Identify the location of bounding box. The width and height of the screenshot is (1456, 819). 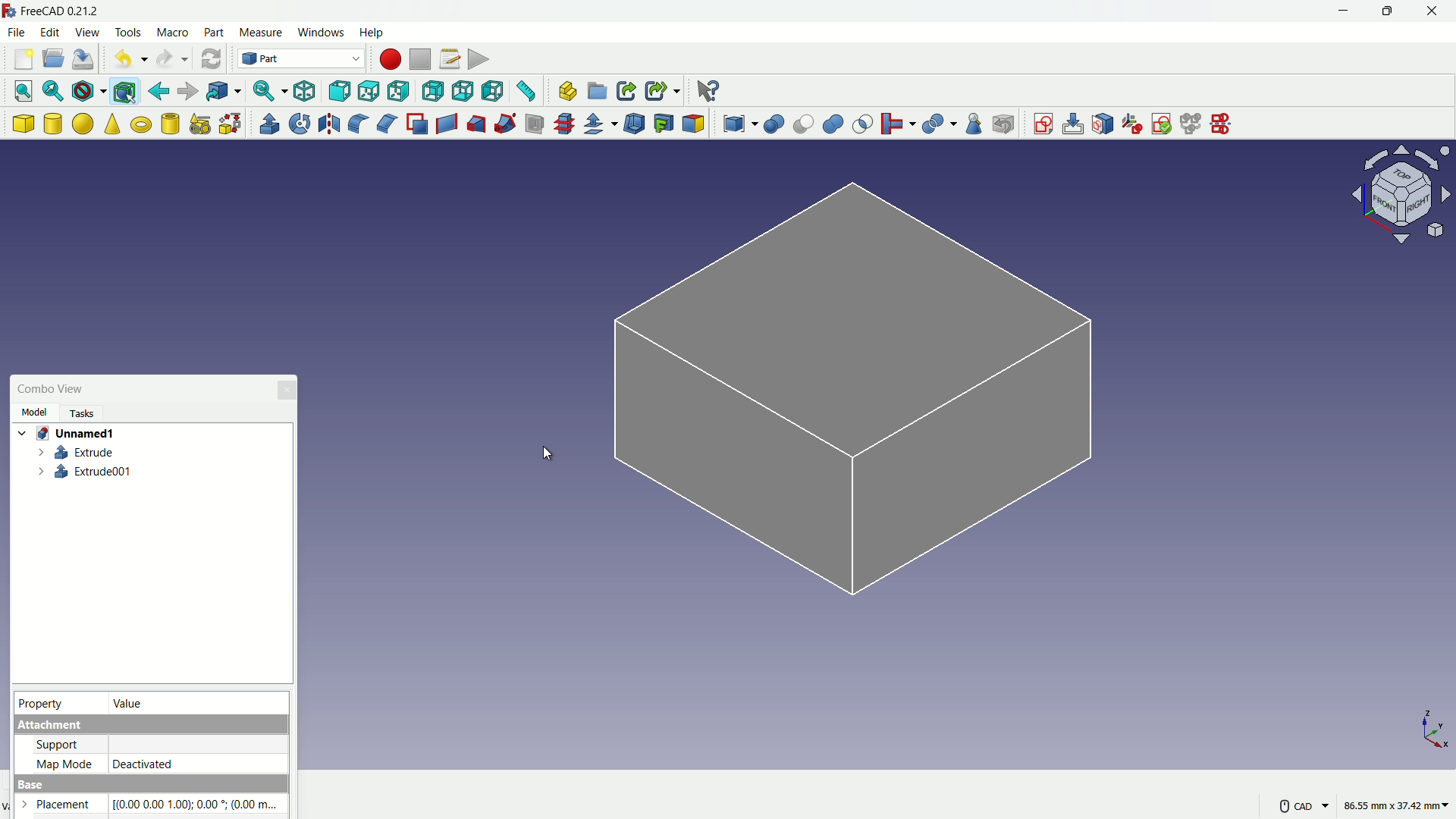
(124, 93).